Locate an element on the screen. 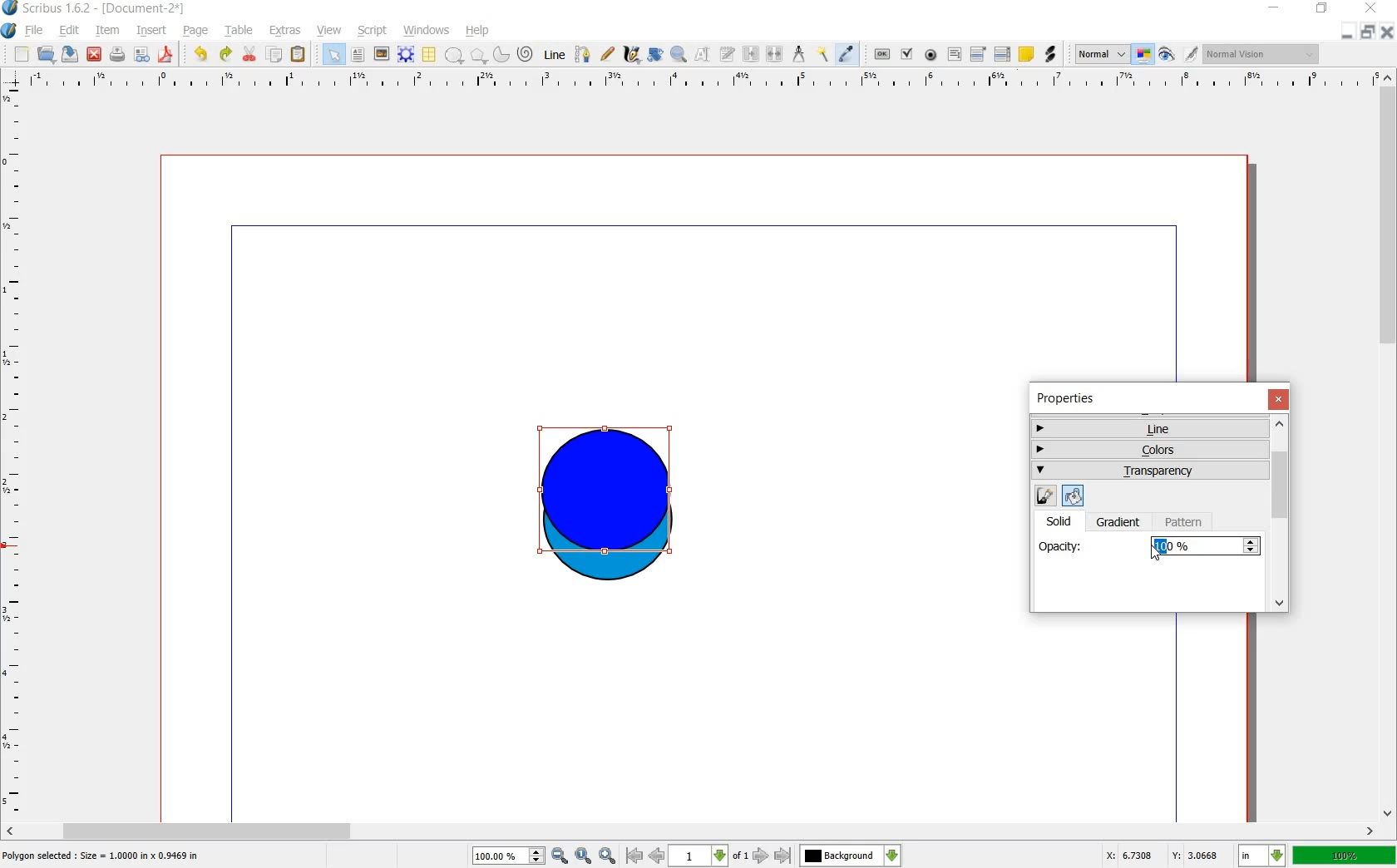 The image size is (1397, 868). 100% is located at coordinates (1194, 546).